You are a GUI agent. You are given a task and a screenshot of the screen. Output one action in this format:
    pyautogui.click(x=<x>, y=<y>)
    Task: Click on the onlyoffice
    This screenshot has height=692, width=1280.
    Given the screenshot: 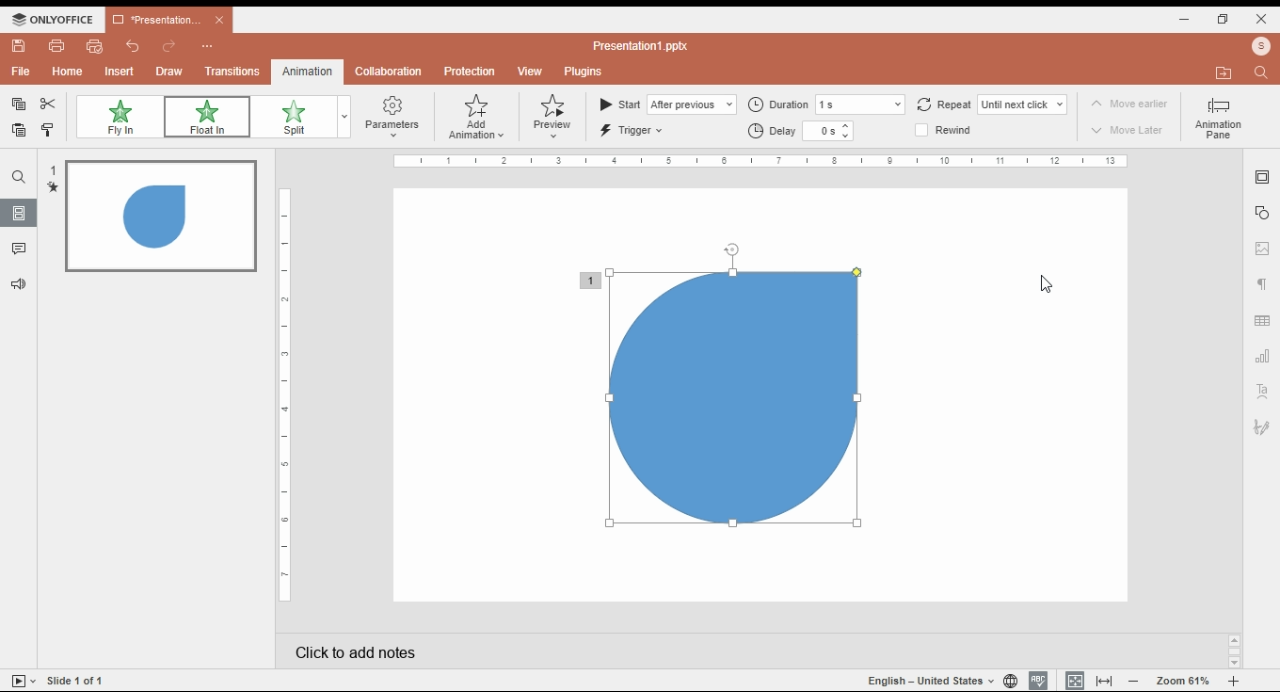 What is the action you would take?
    pyautogui.click(x=50, y=19)
    